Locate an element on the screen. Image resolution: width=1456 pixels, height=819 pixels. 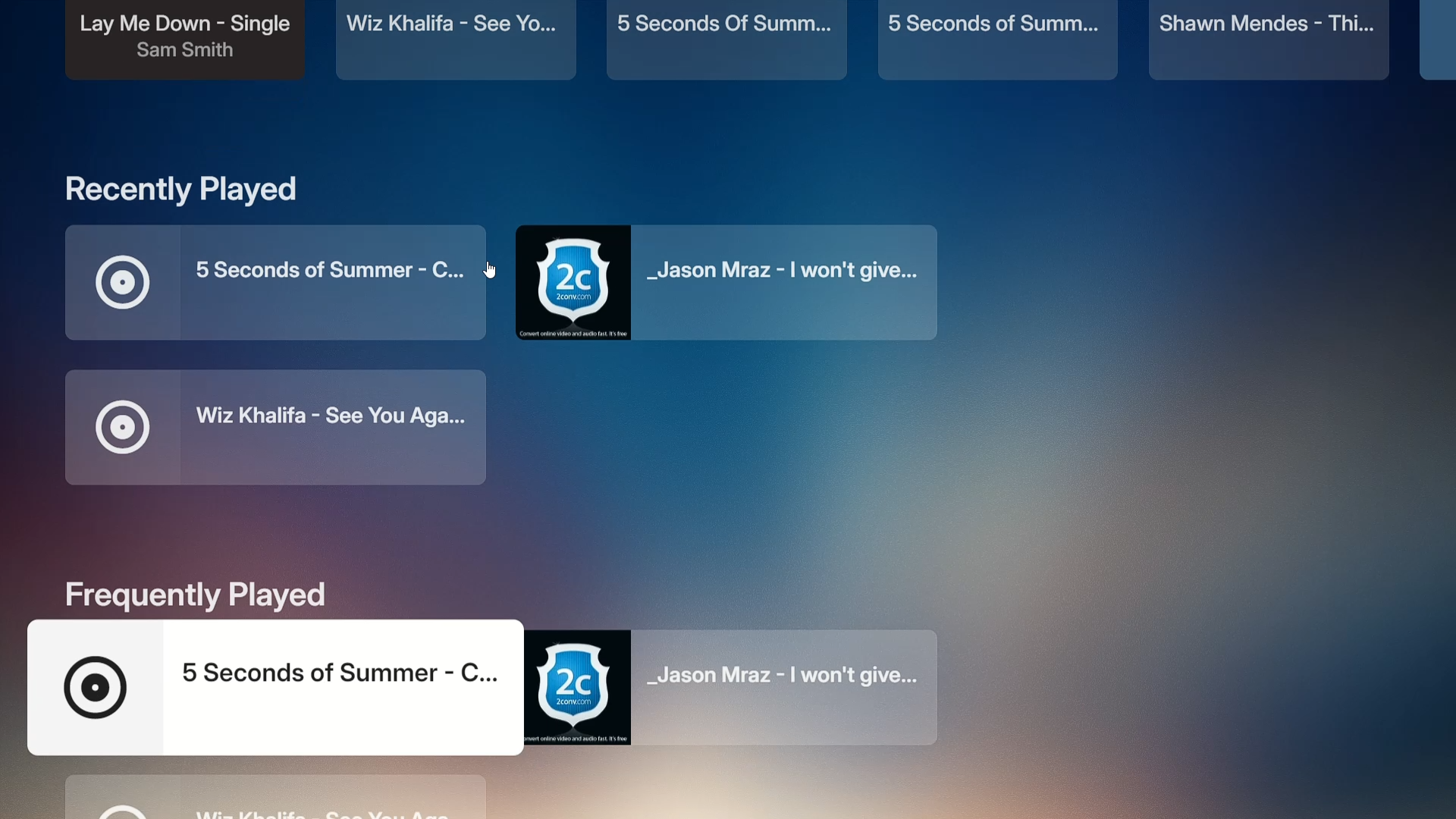
Recently Played is located at coordinates (185, 192).